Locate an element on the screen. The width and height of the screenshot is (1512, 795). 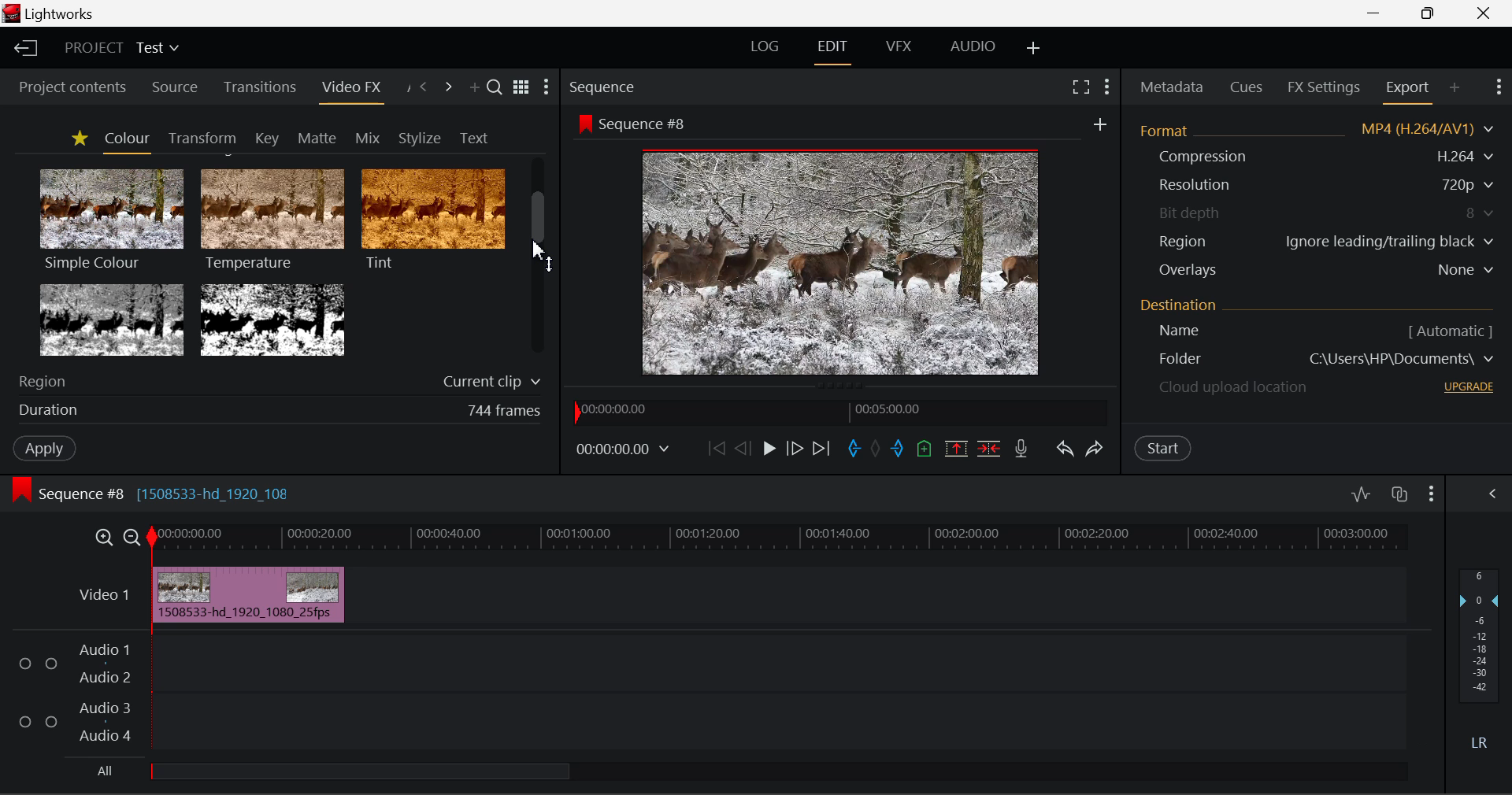
AUDIO Layout is located at coordinates (973, 46).